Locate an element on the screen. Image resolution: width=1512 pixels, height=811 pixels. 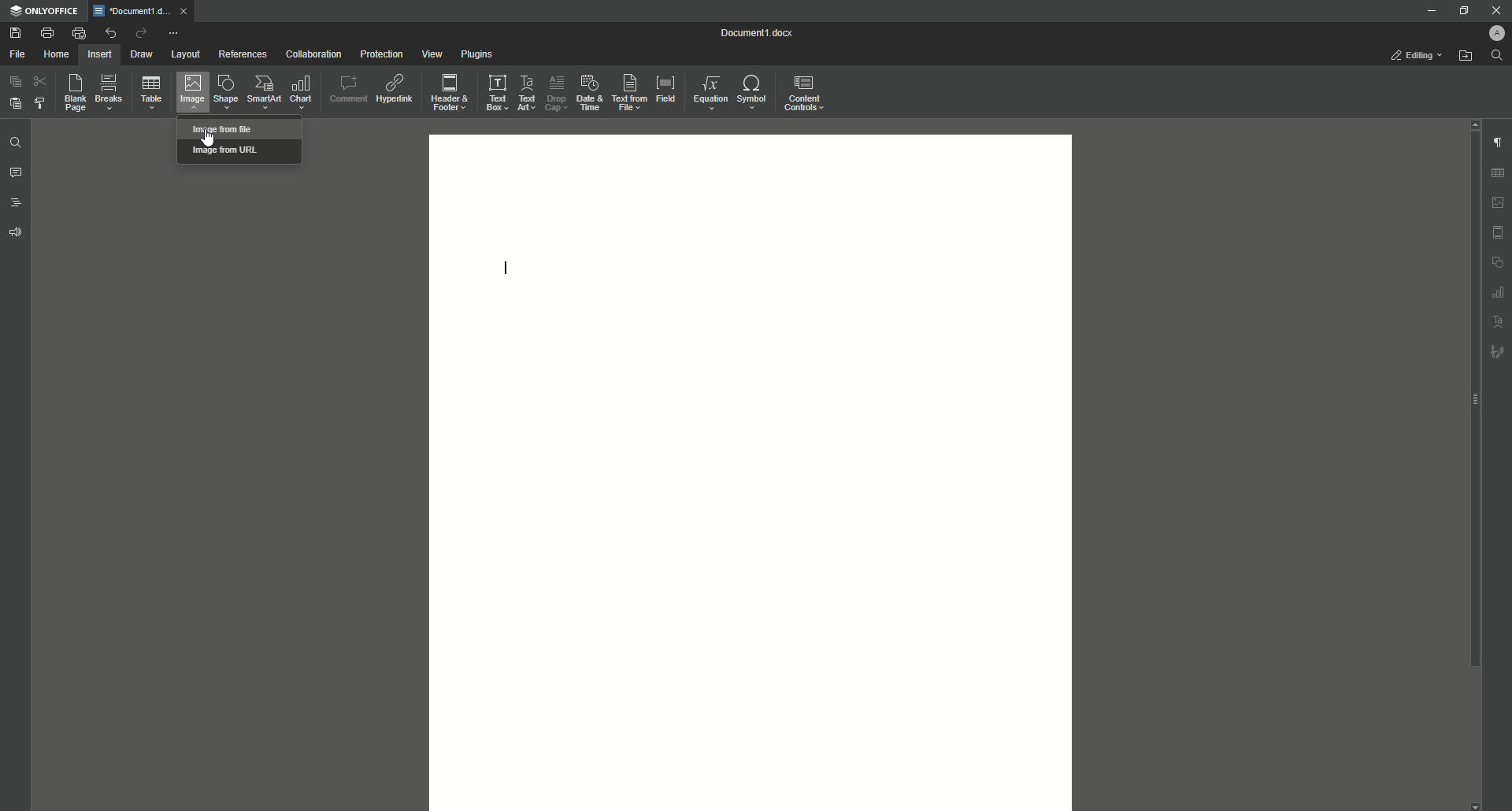
Unnamed Icons is located at coordinates (1499, 262).